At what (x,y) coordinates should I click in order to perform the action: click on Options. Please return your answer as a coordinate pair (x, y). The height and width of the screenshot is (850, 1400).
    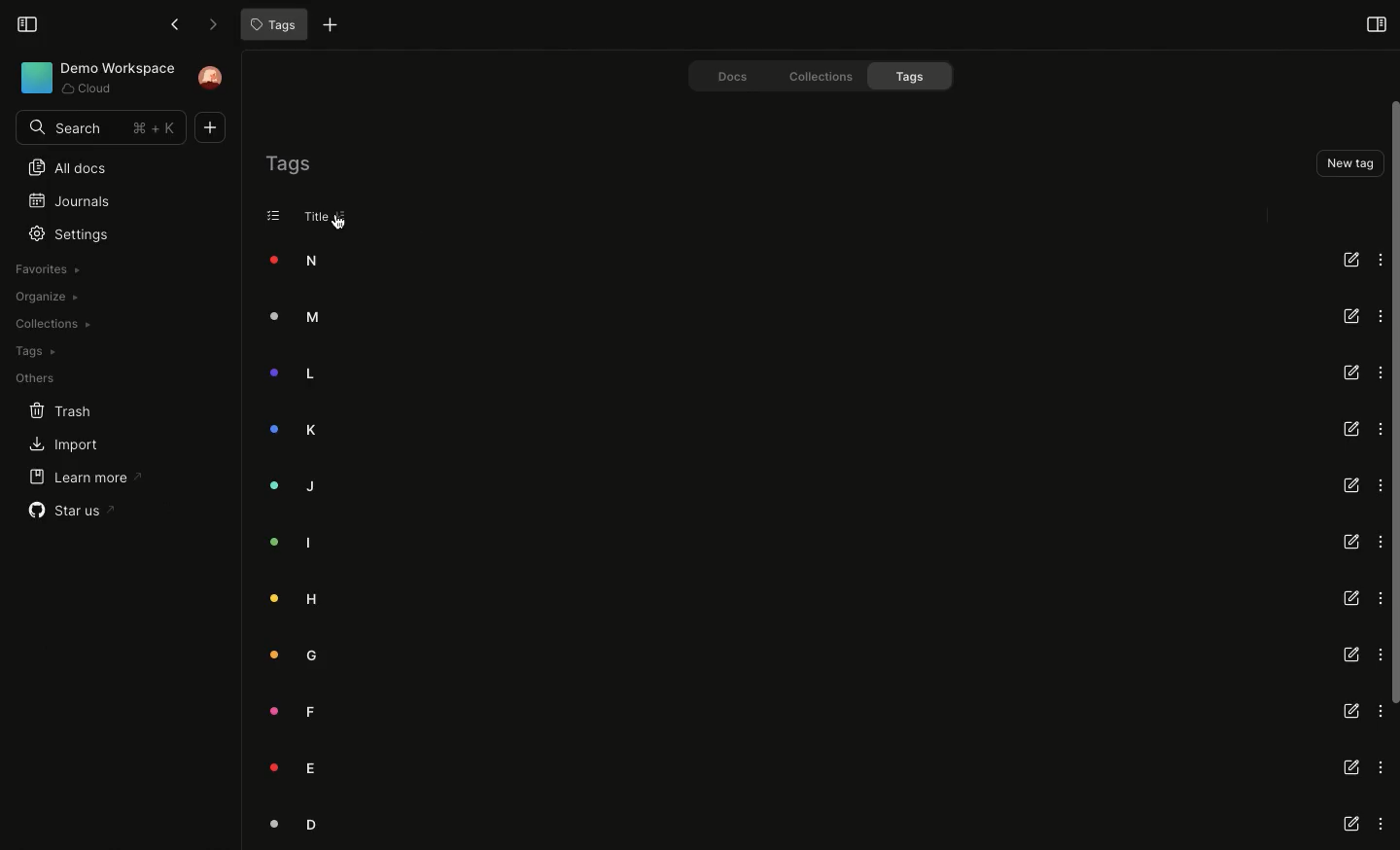
    Looking at the image, I should click on (1379, 372).